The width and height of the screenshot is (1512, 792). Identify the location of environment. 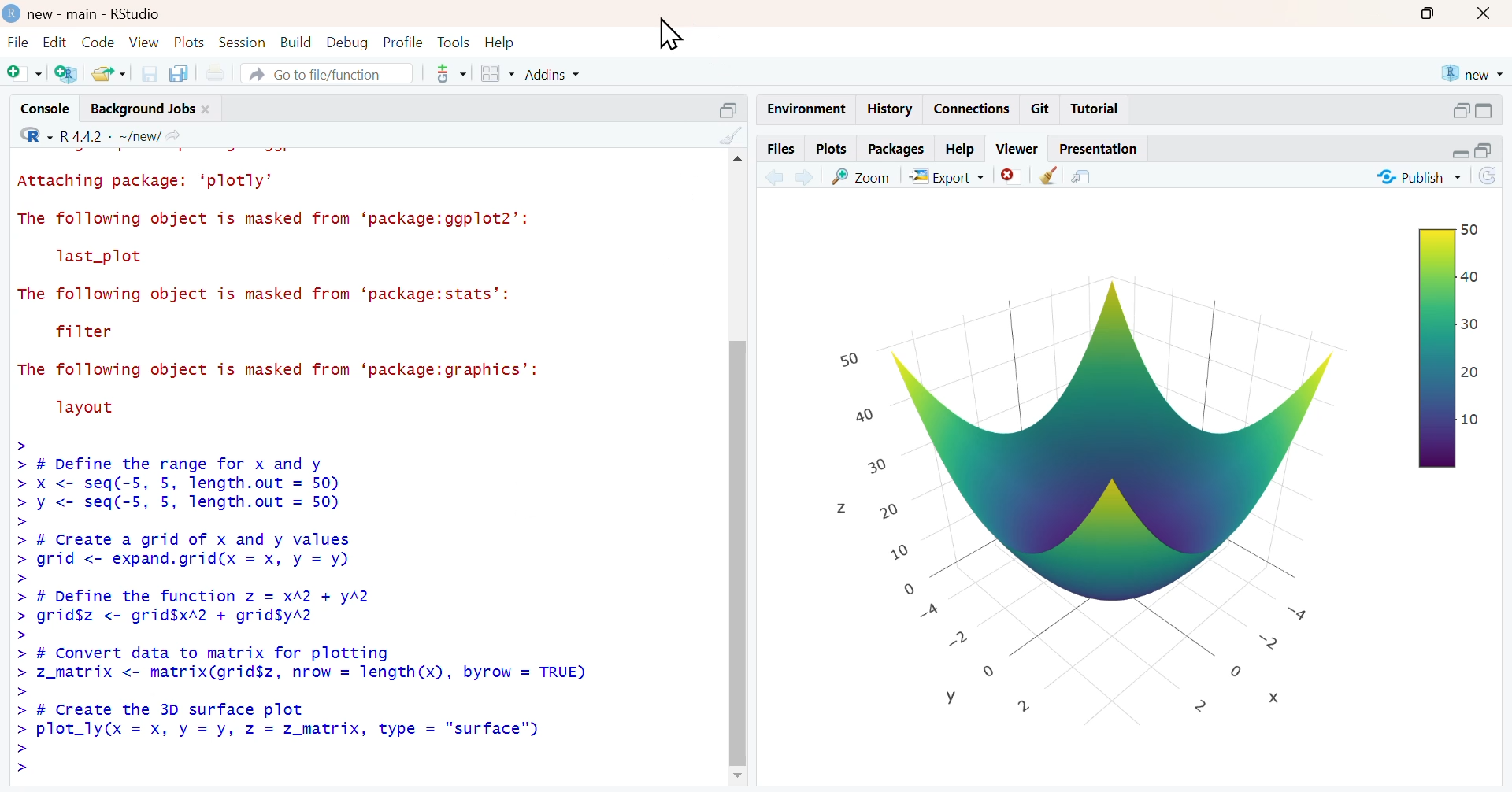
(803, 108).